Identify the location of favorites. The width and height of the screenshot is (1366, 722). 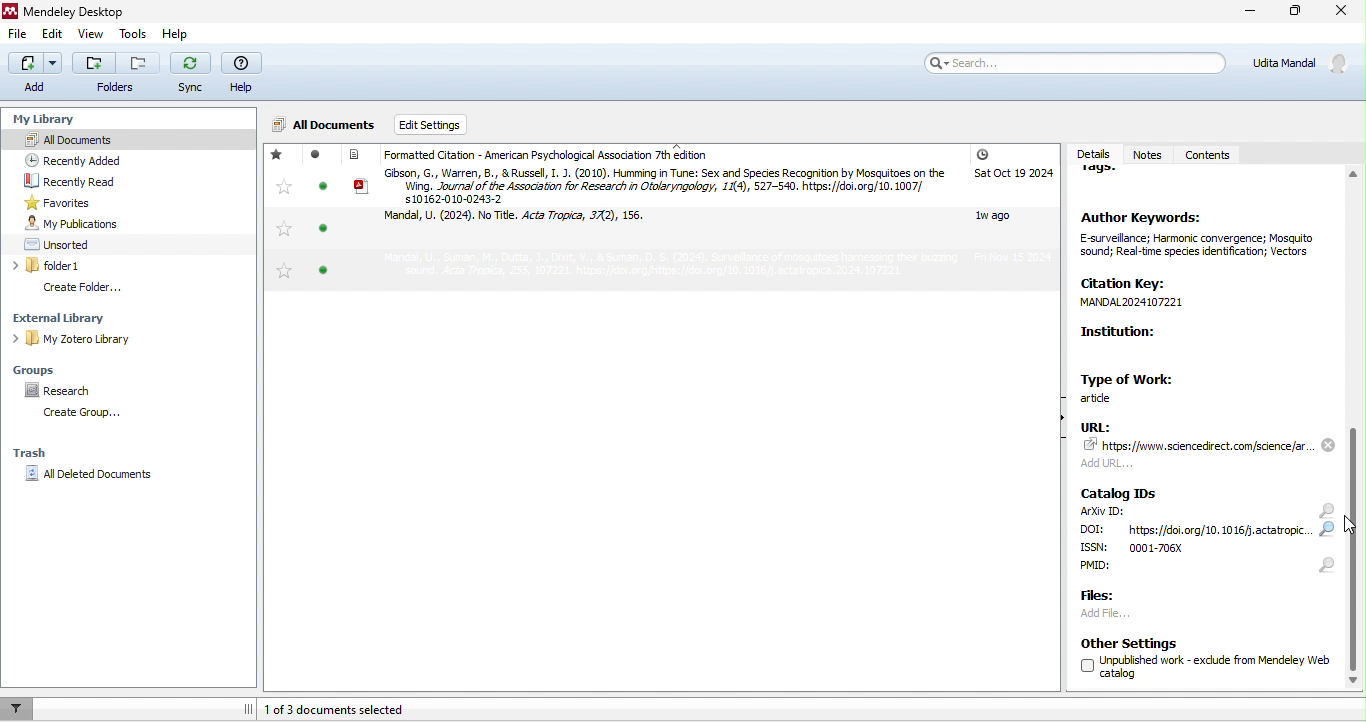
(281, 214).